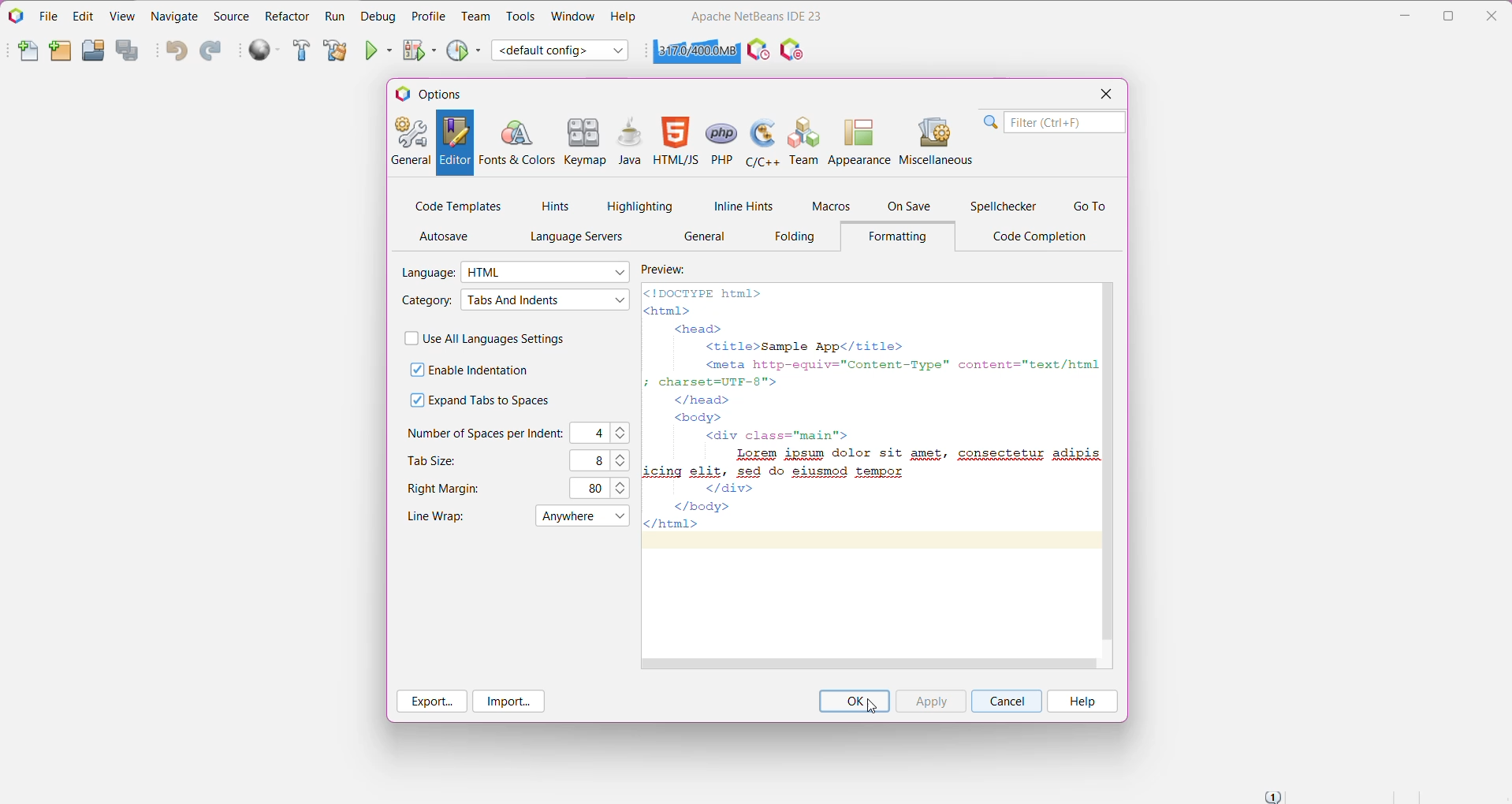 The image size is (1512, 804). Describe the element at coordinates (414, 369) in the screenshot. I see `check box` at that location.